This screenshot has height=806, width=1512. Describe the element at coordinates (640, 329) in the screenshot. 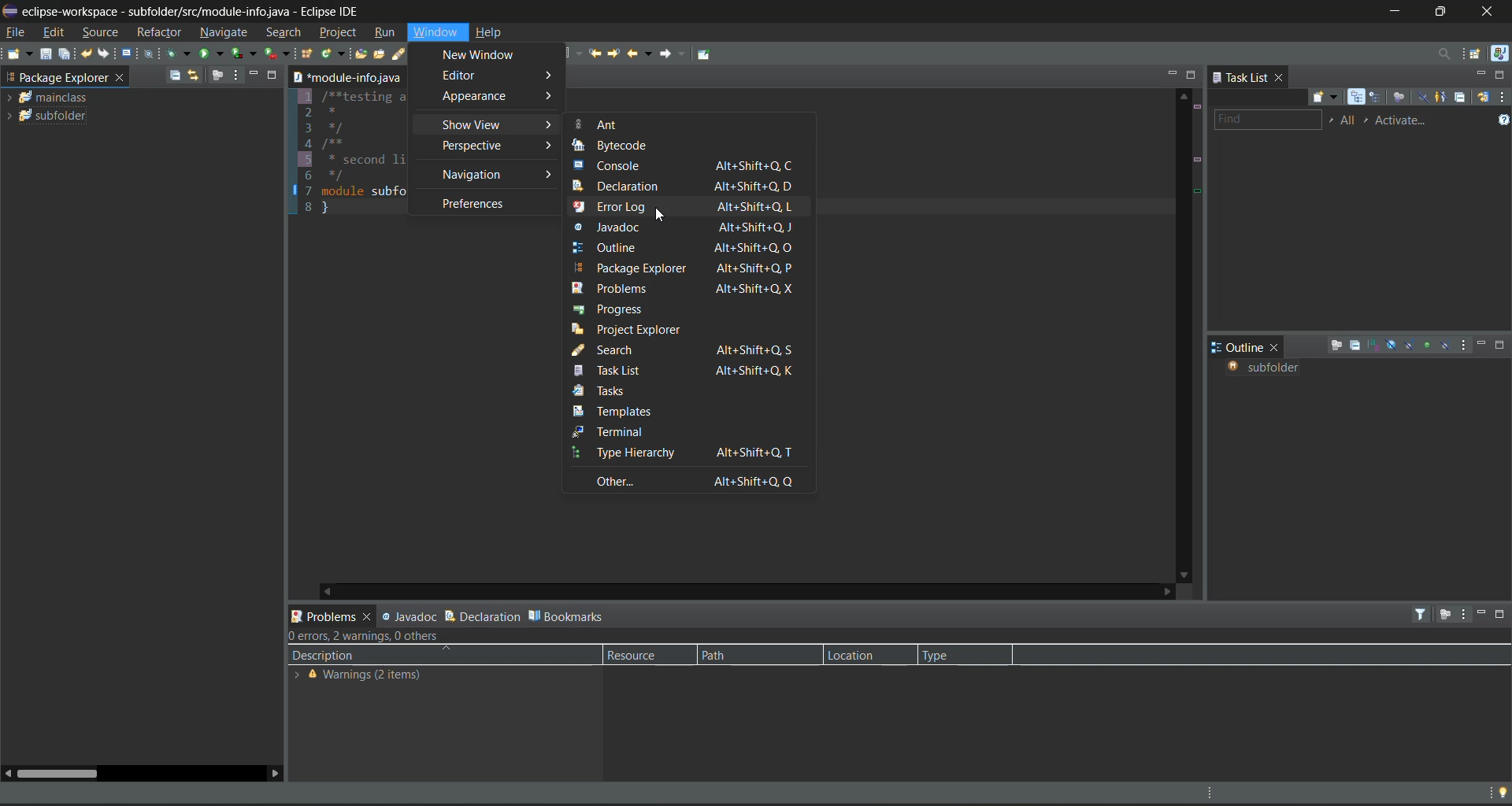

I see `project explorer` at that location.